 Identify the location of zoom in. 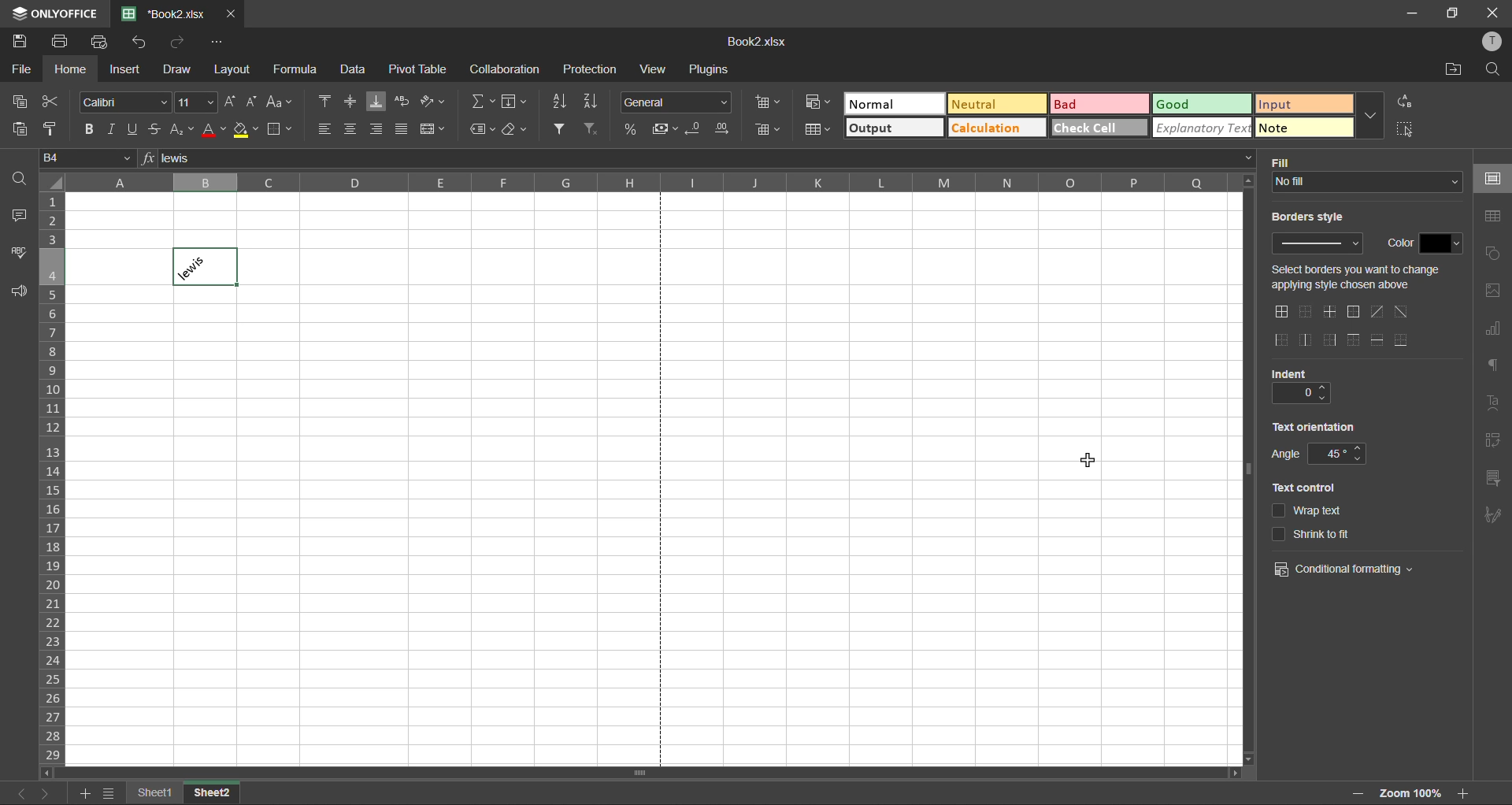
(1467, 792).